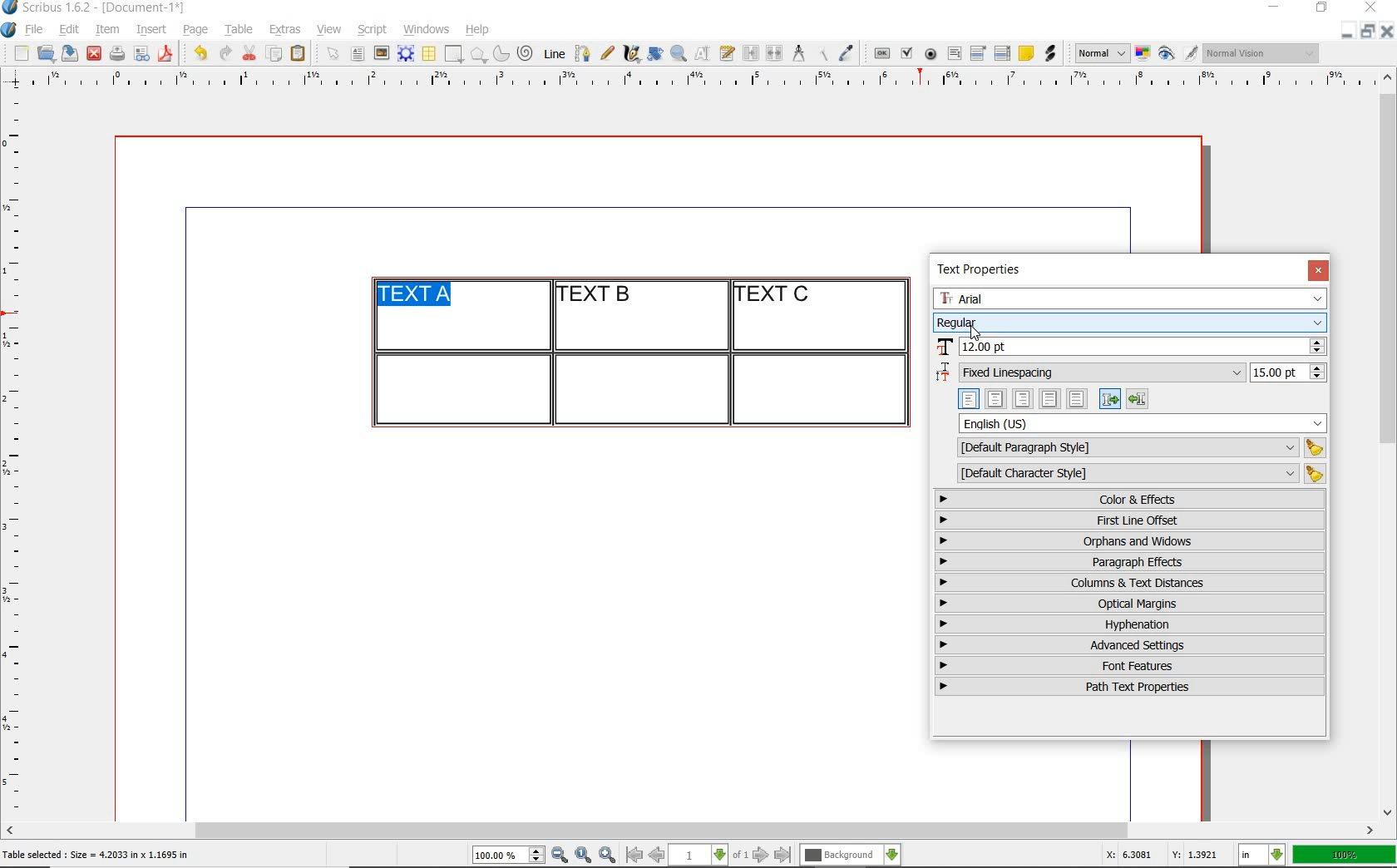 The height and width of the screenshot is (868, 1397). Describe the element at coordinates (1387, 31) in the screenshot. I see `close` at that location.